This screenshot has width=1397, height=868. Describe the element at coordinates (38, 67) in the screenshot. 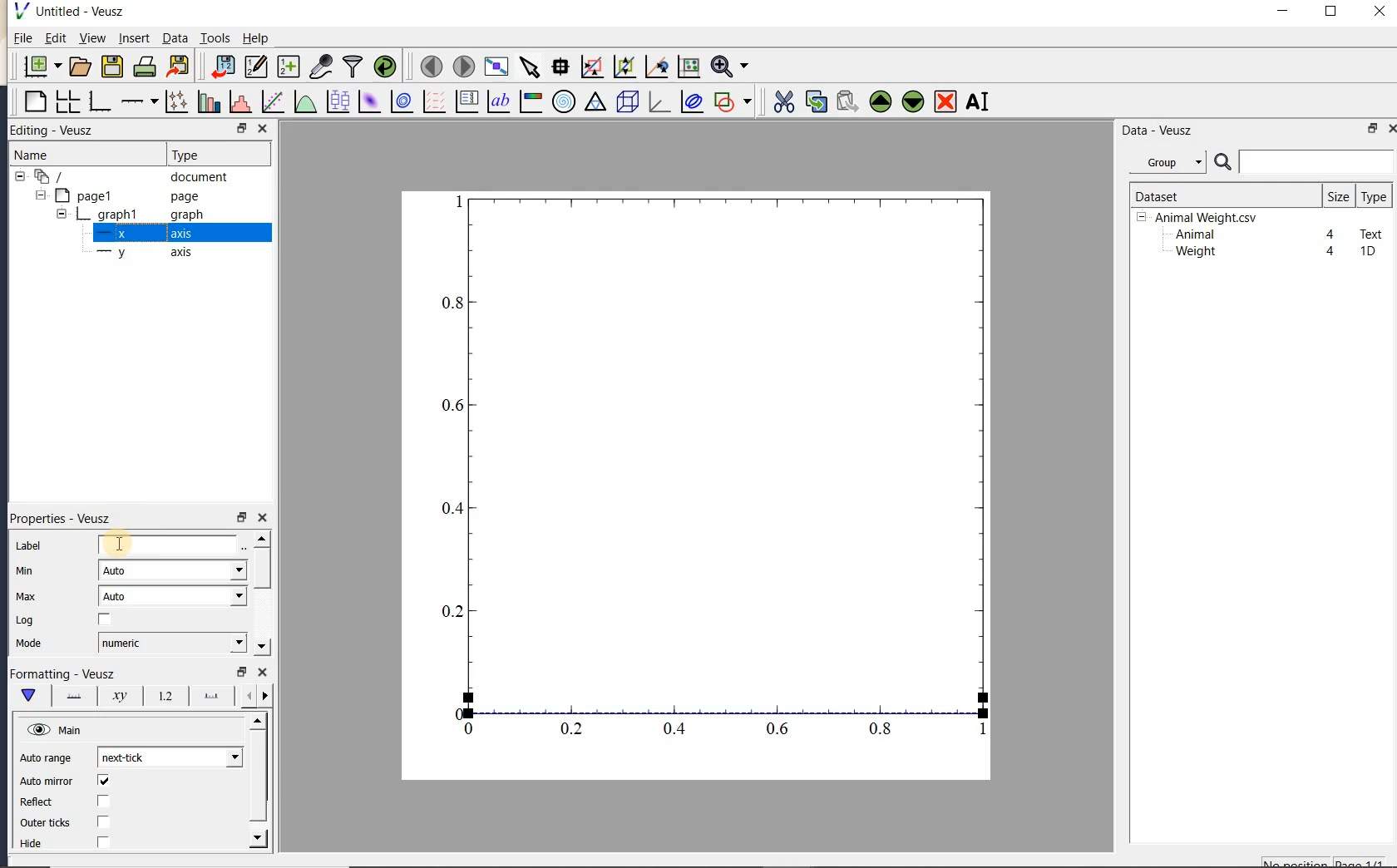

I see `new document` at that location.